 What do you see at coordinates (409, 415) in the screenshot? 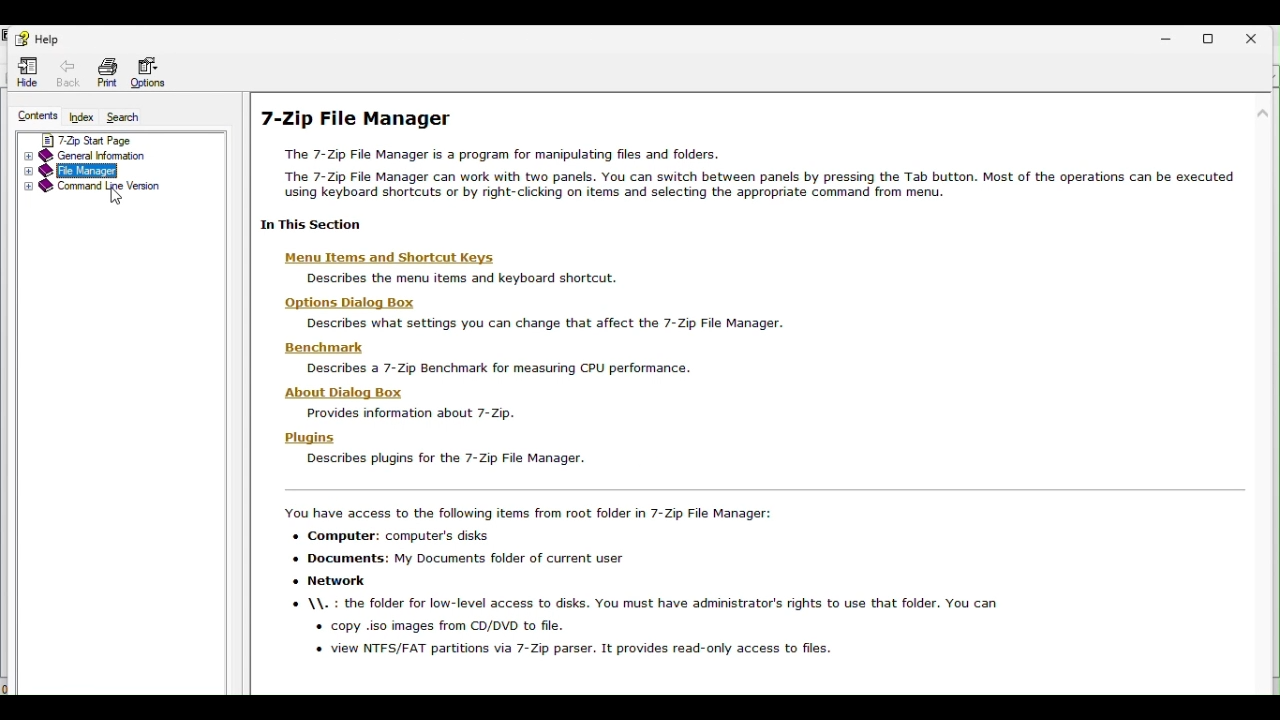
I see `1 Provides information about 7-Zip.` at bounding box center [409, 415].